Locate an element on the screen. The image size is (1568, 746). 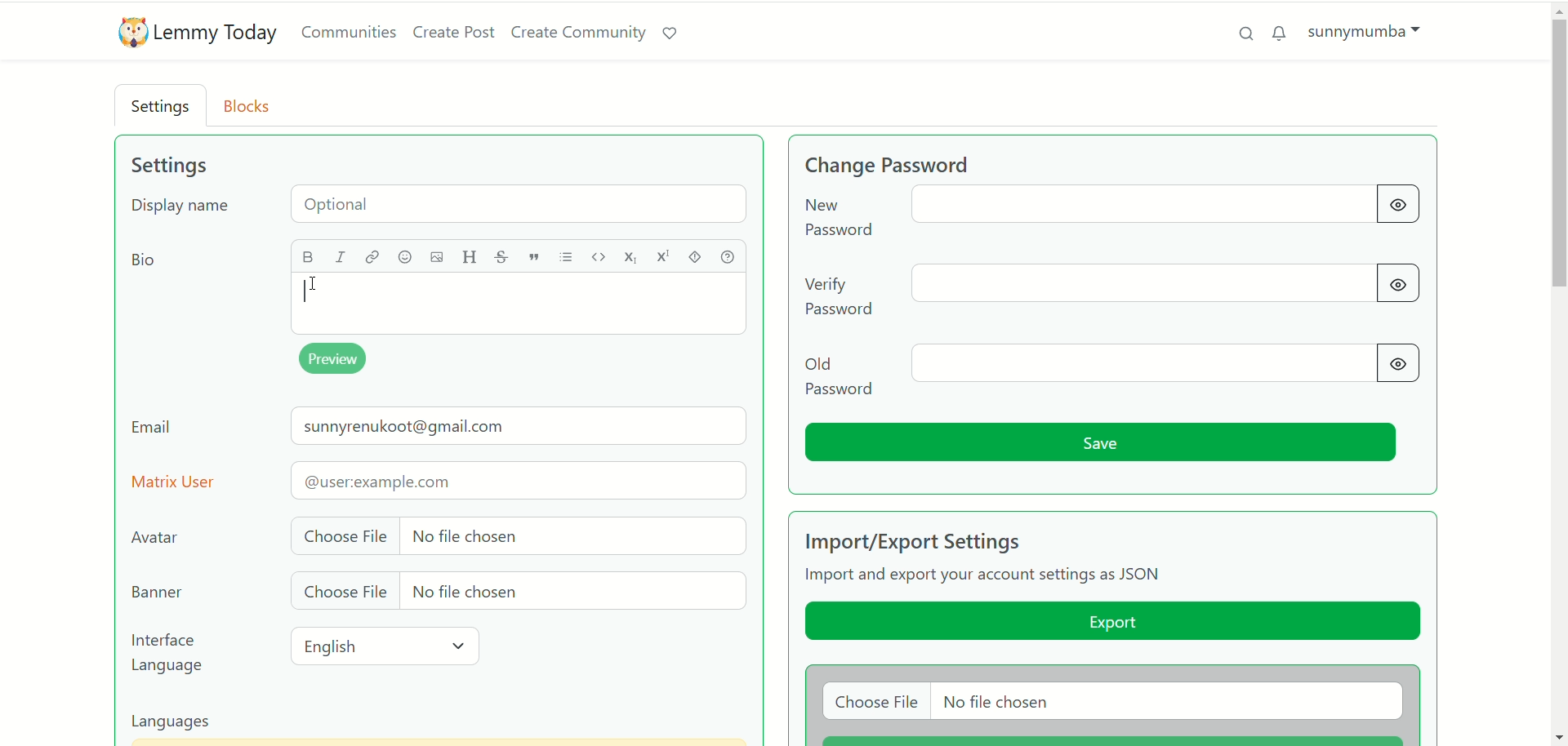
list is located at coordinates (569, 257).